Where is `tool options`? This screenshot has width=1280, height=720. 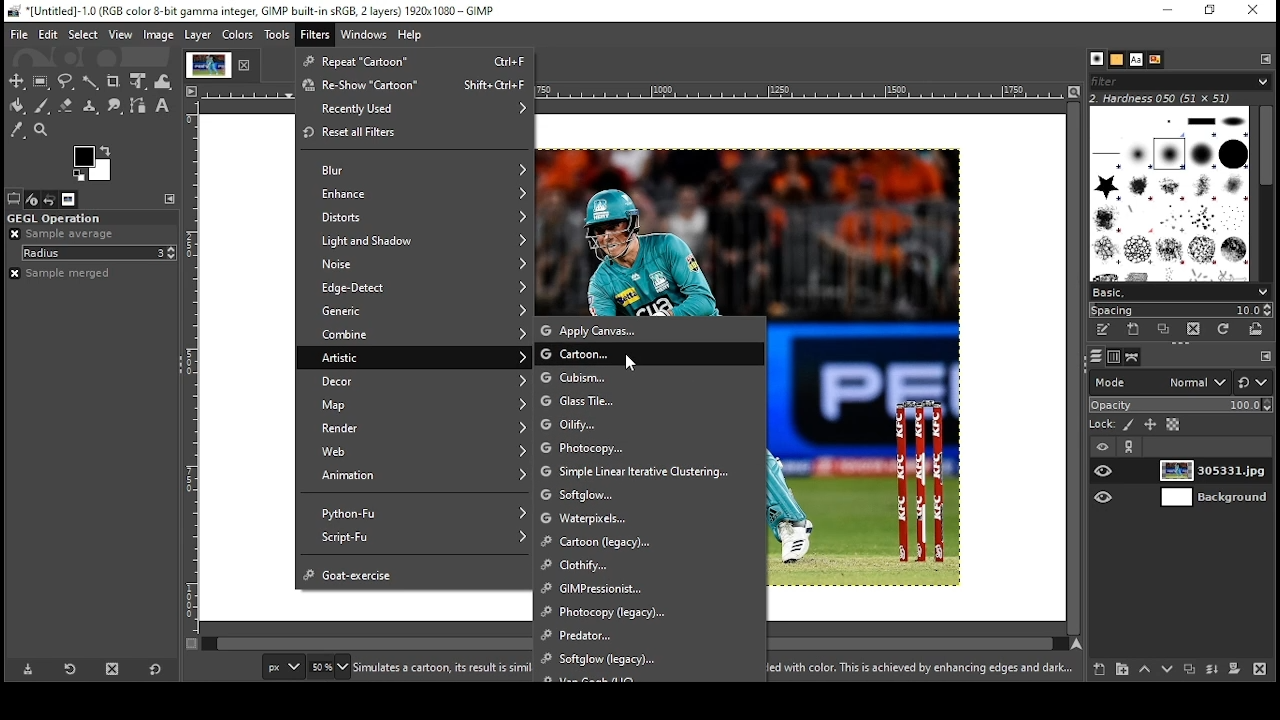
tool options is located at coordinates (14, 198).